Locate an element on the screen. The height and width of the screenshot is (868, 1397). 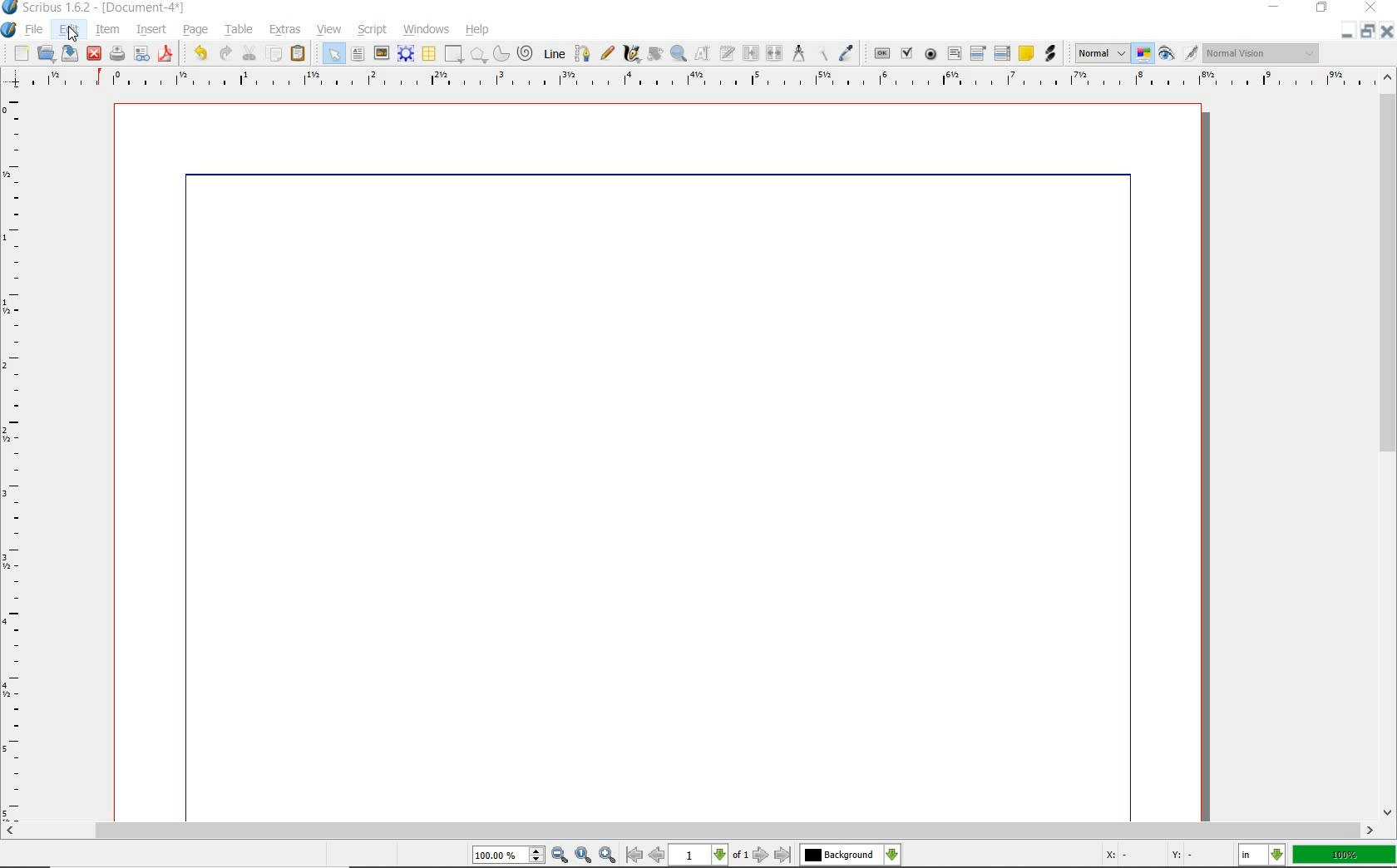
Bezier curve is located at coordinates (580, 53).